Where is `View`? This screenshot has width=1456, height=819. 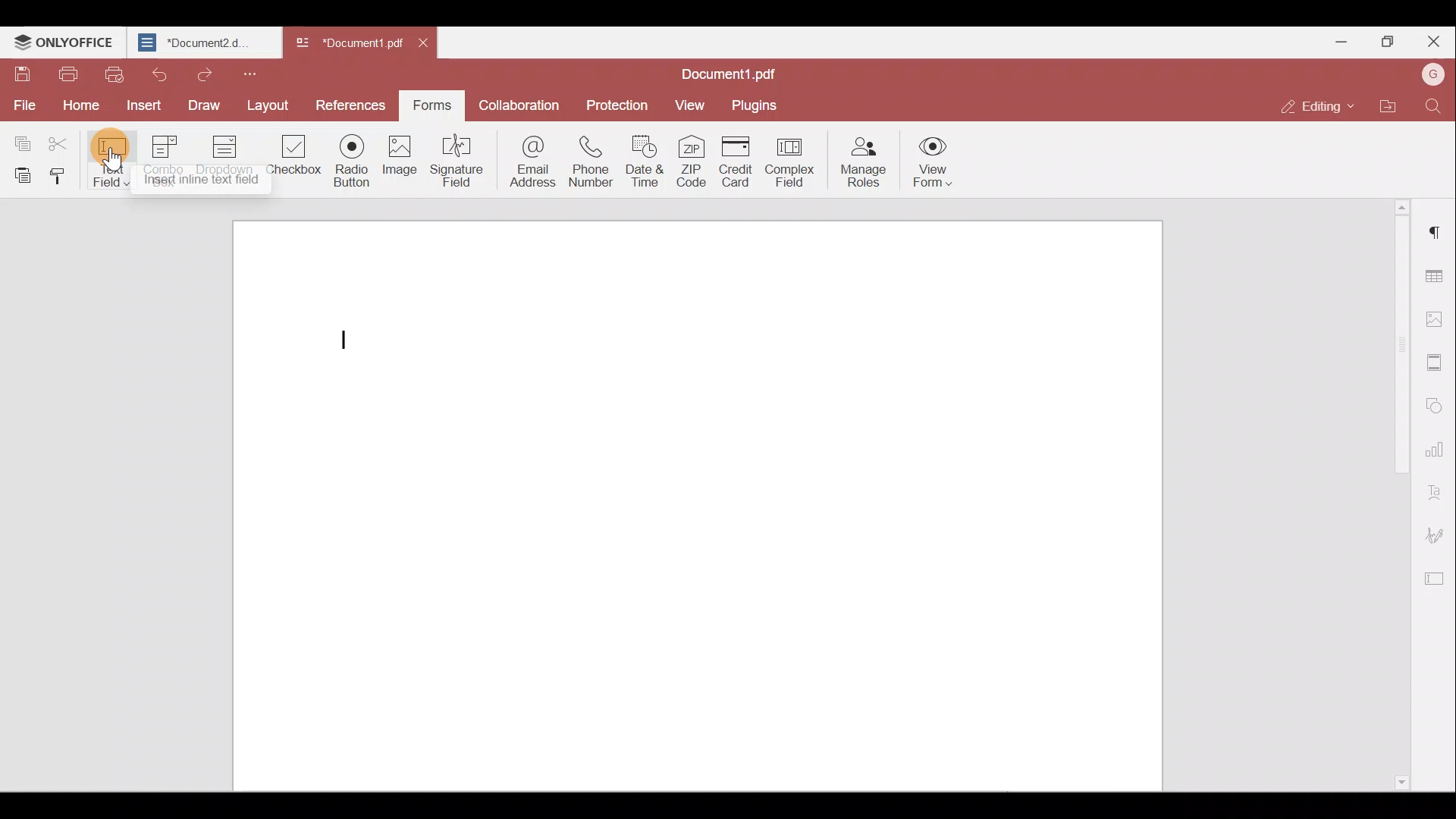
View is located at coordinates (691, 105).